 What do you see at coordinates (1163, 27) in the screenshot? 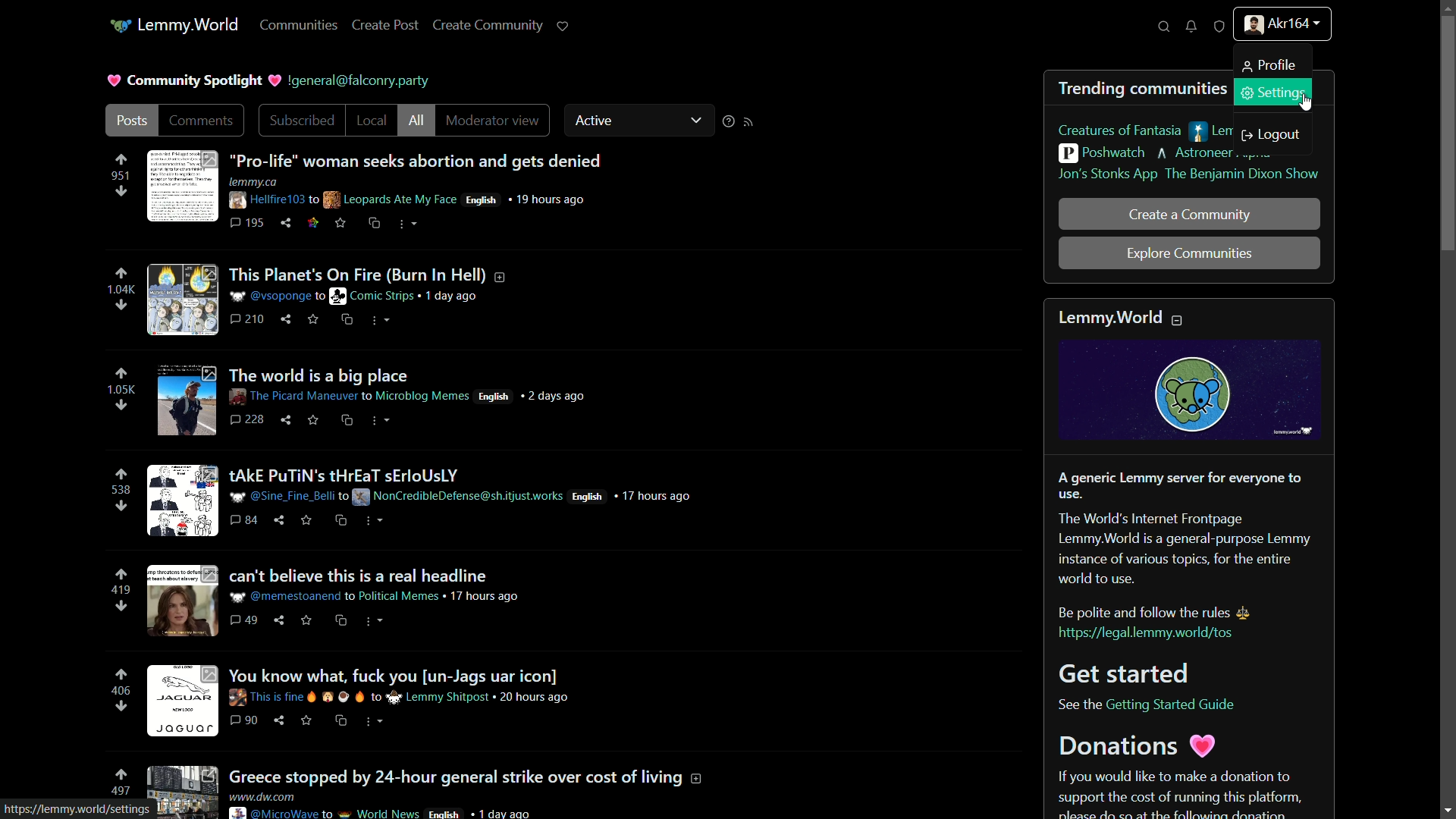
I see `search` at bounding box center [1163, 27].